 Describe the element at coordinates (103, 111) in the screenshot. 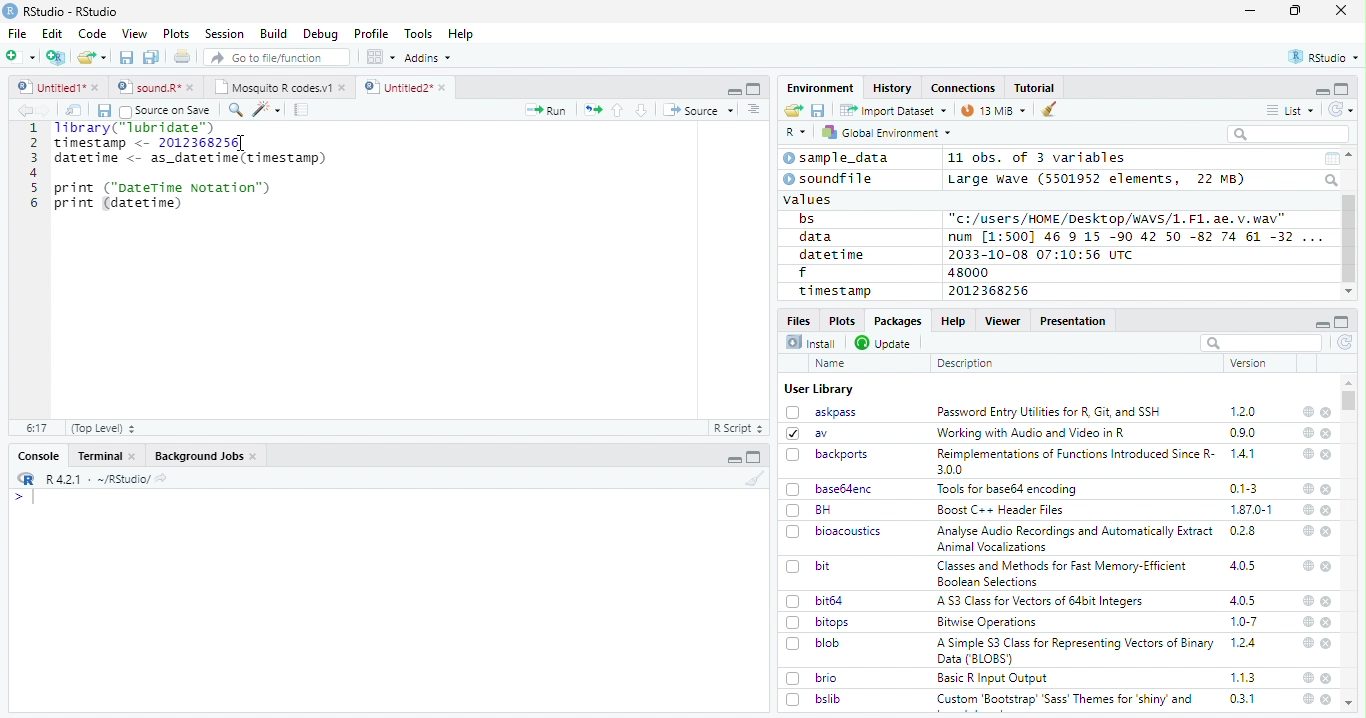

I see `Save` at that location.